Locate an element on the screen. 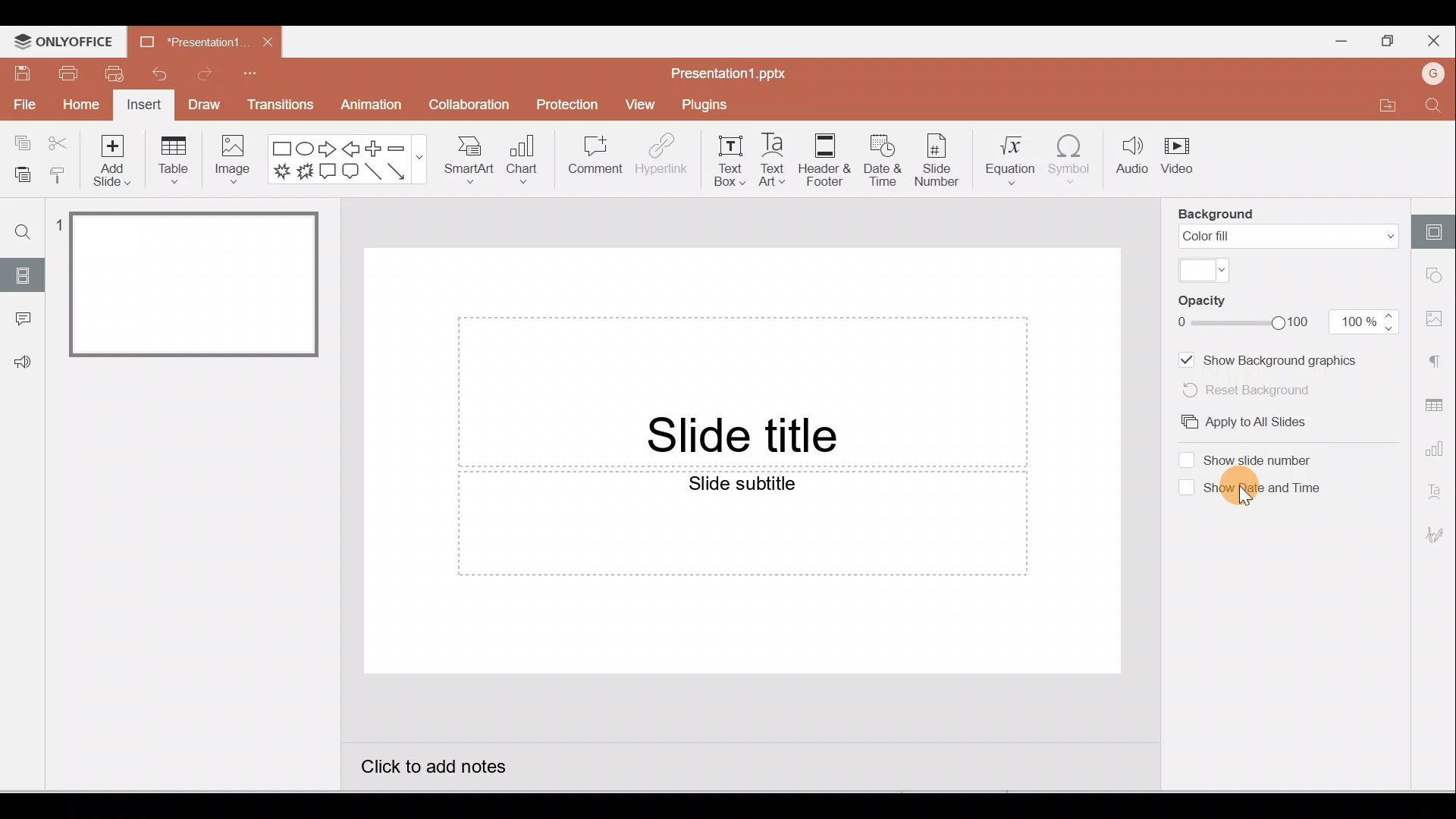 The height and width of the screenshot is (819, 1456). Right arrow is located at coordinates (328, 148).